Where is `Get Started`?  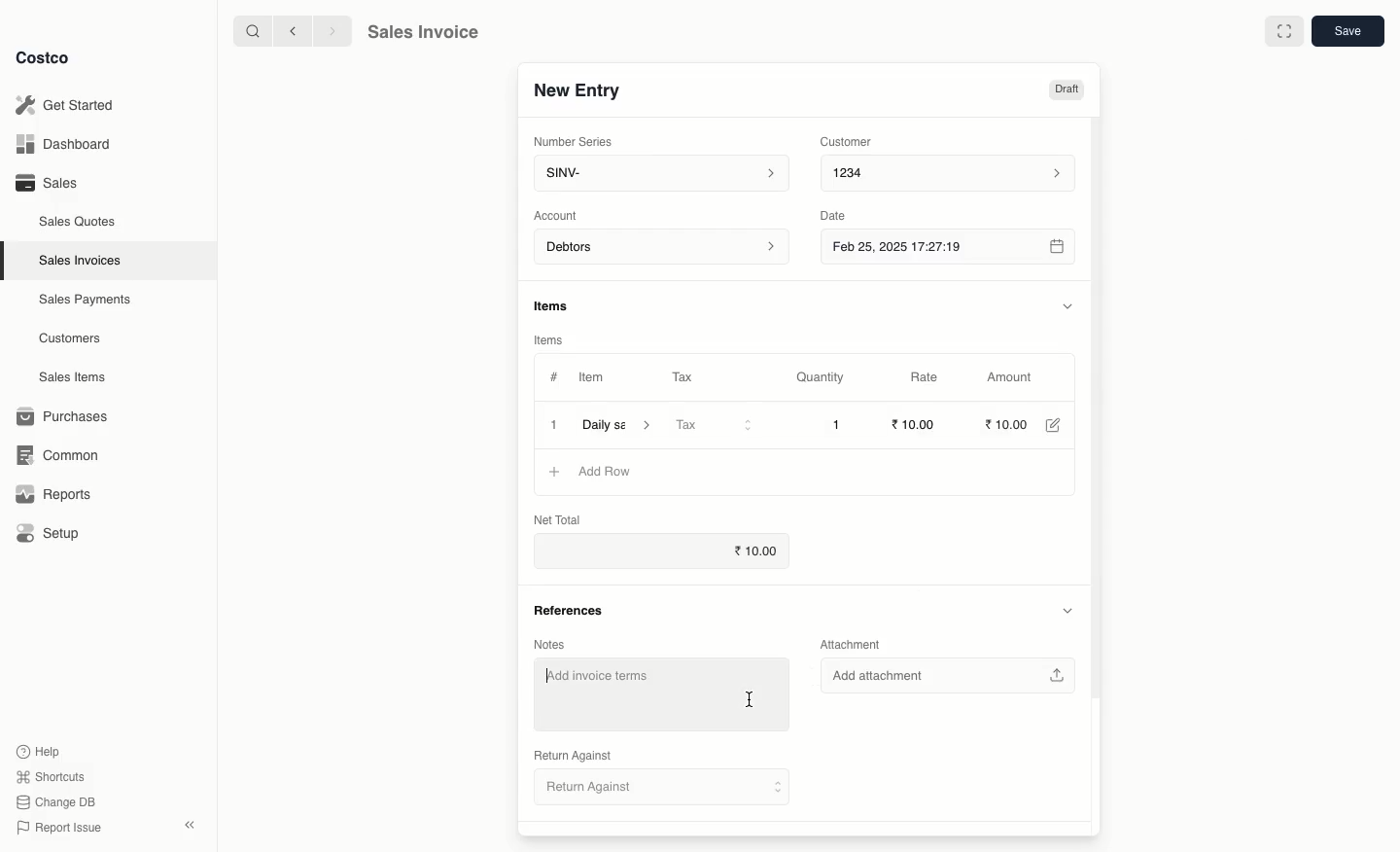 Get Started is located at coordinates (72, 104).